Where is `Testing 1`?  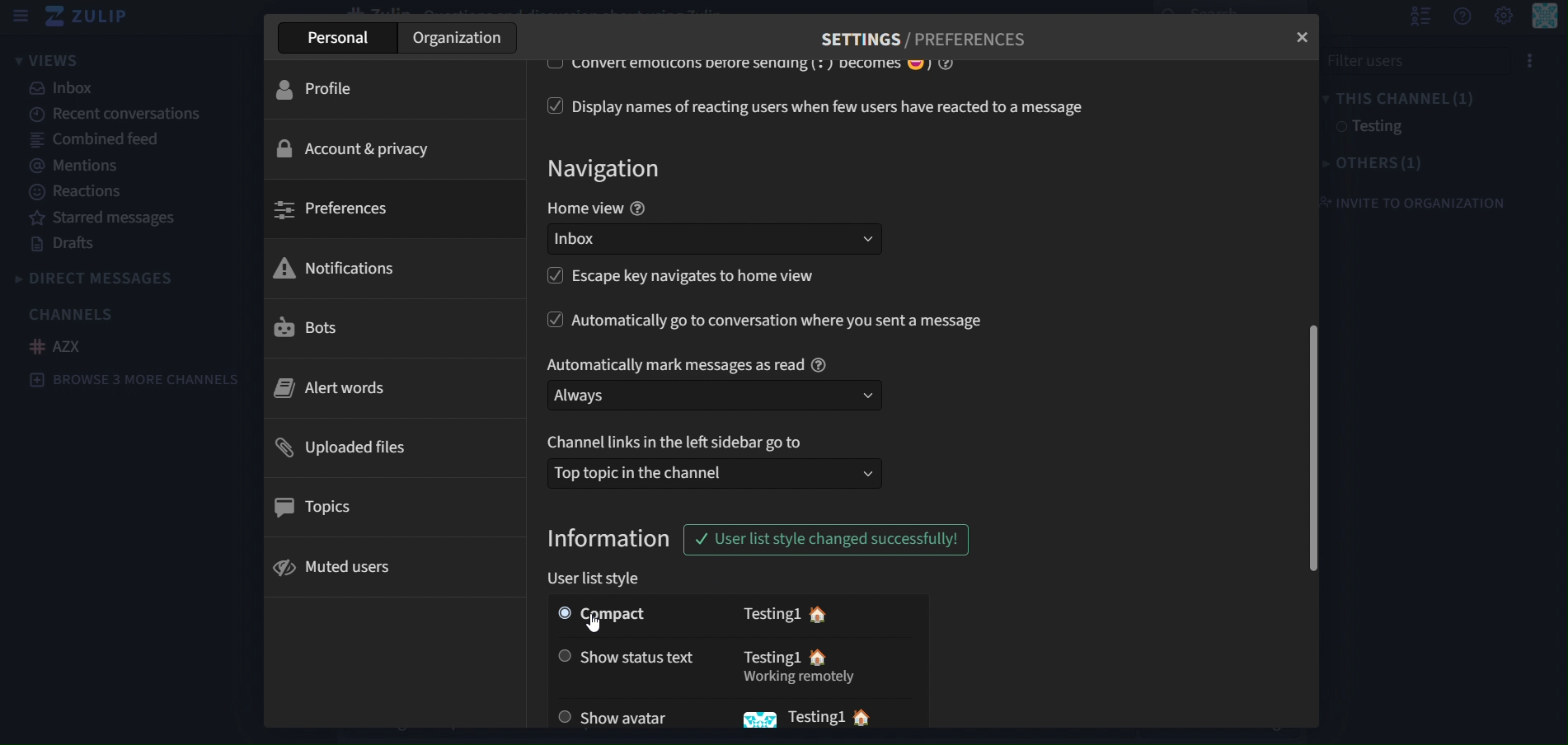
Testing 1 is located at coordinates (816, 716).